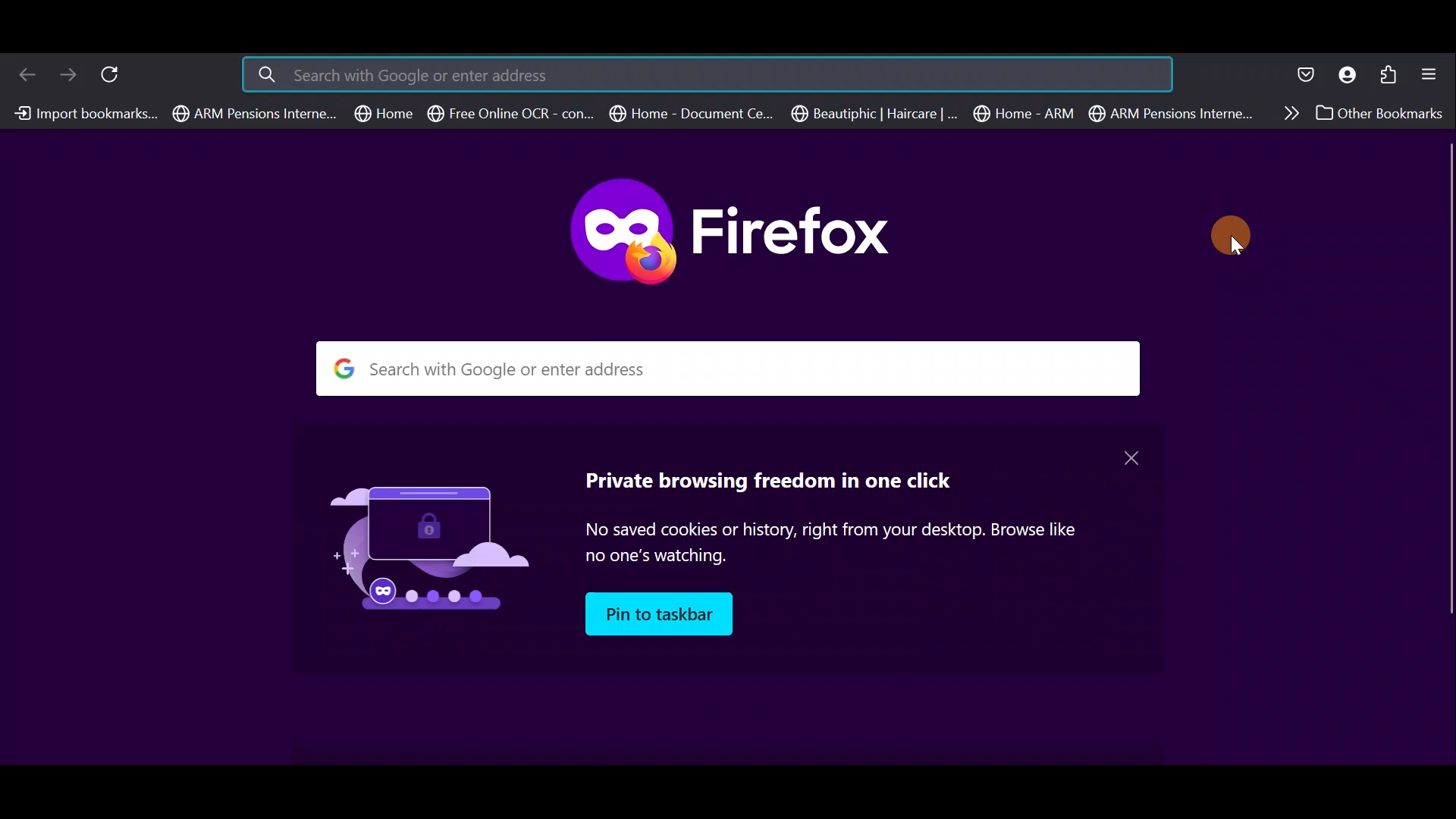 The height and width of the screenshot is (819, 1456). What do you see at coordinates (385, 113) in the screenshot?
I see `Home` at bounding box center [385, 113].